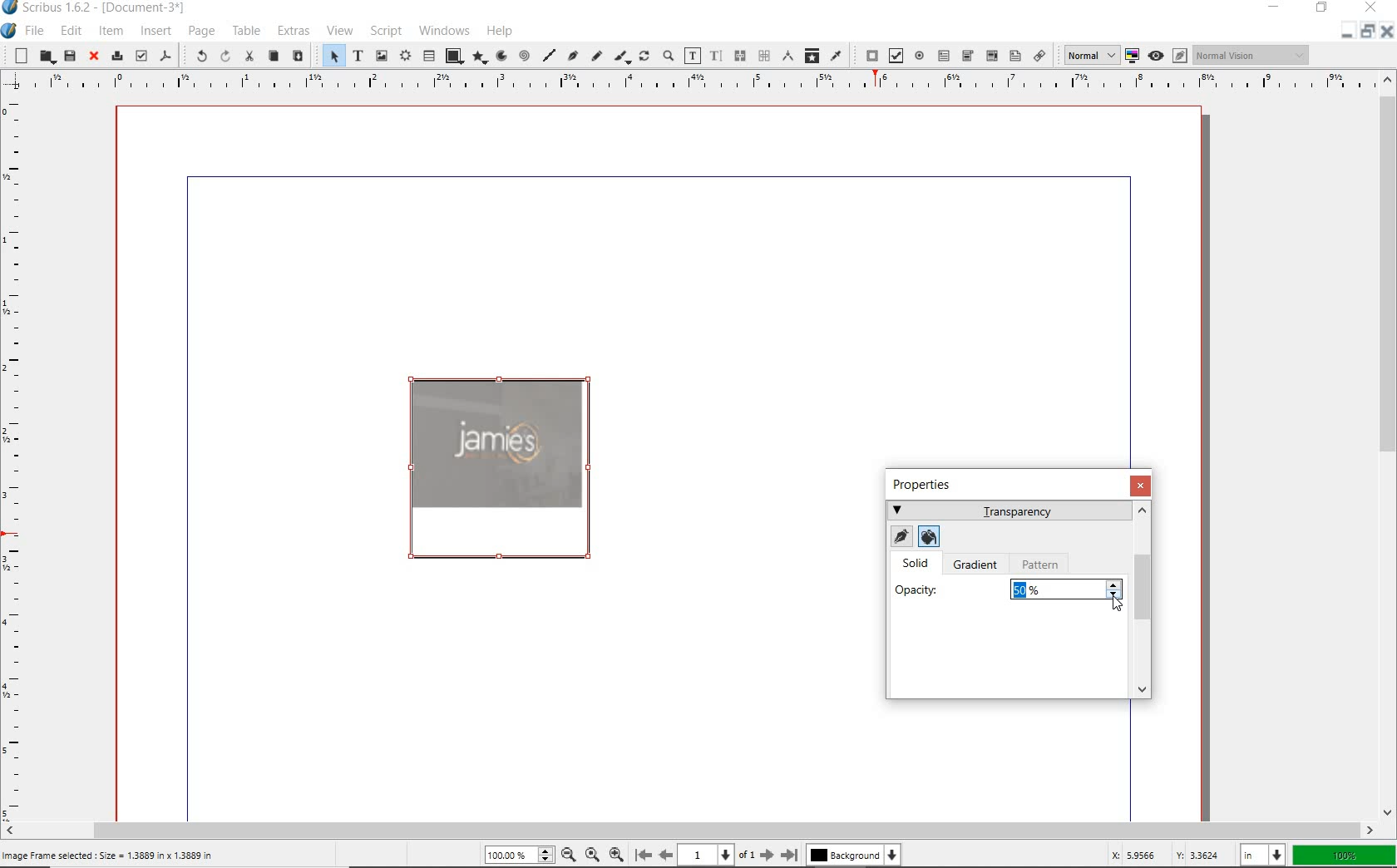 The height and width of the screenshot is (868, 1397). What do you see at coordinates (990, 56) in the screenshot?
I see `pdf combo box` at bounding box center [990, 56].